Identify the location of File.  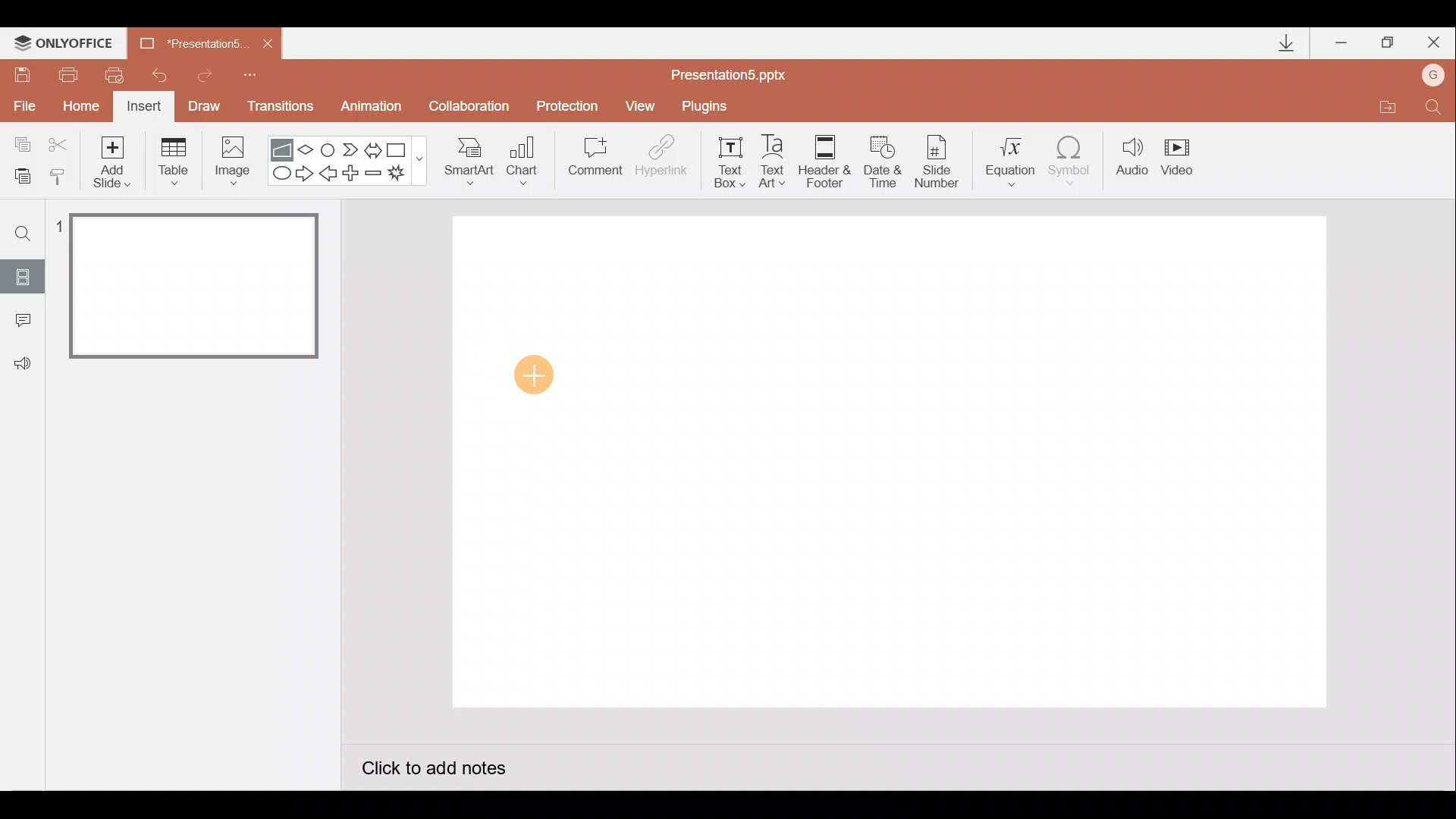
(22, 105).